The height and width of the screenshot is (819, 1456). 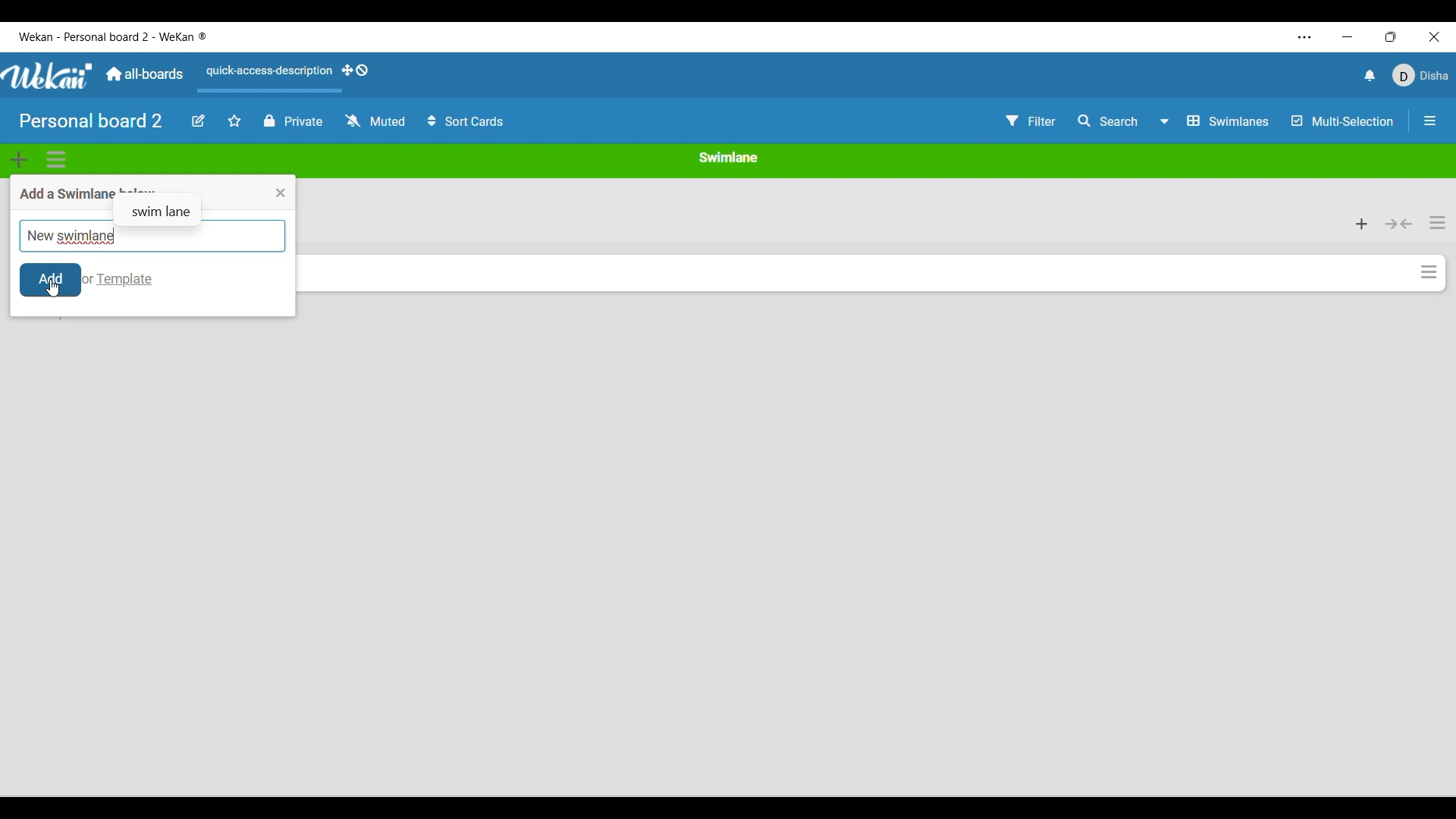 I want to click on Close interface, so click(x=1435, y=37).